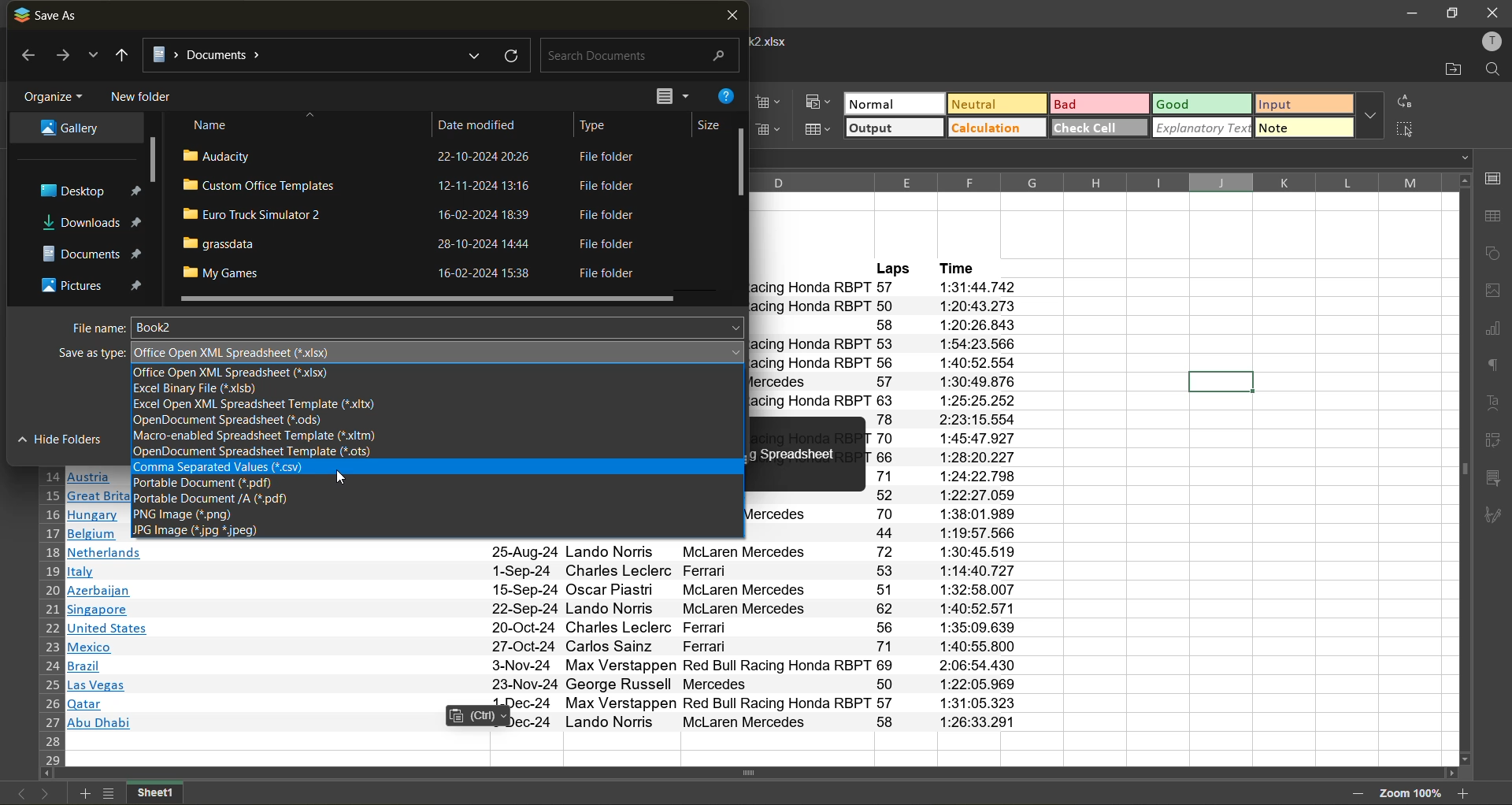 The image size is (1512, 805). Describe the element at coordinates (271, 452) in the screenshot. I see `ots` at that location.